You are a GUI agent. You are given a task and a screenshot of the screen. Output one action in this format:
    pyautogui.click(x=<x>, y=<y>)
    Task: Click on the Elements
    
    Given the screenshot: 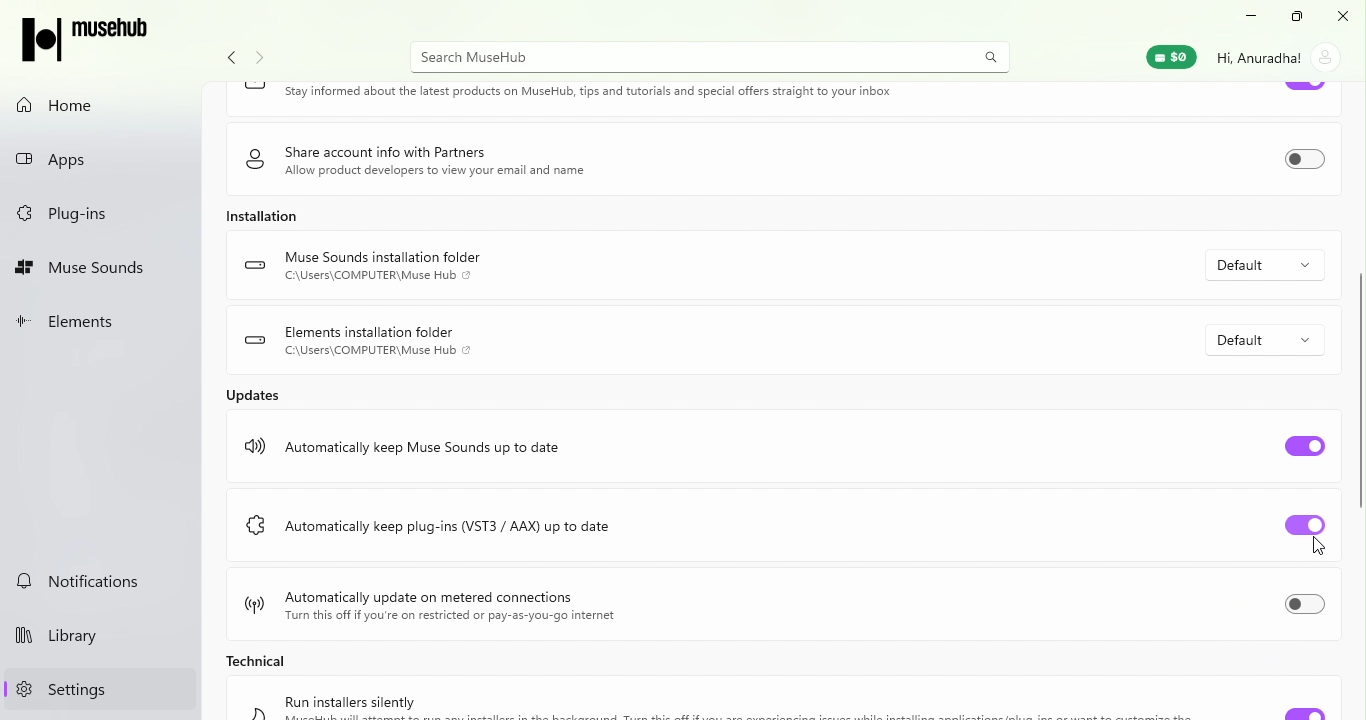 What is the action you would take?
    pyautogui.click(x=100, y=324)
    